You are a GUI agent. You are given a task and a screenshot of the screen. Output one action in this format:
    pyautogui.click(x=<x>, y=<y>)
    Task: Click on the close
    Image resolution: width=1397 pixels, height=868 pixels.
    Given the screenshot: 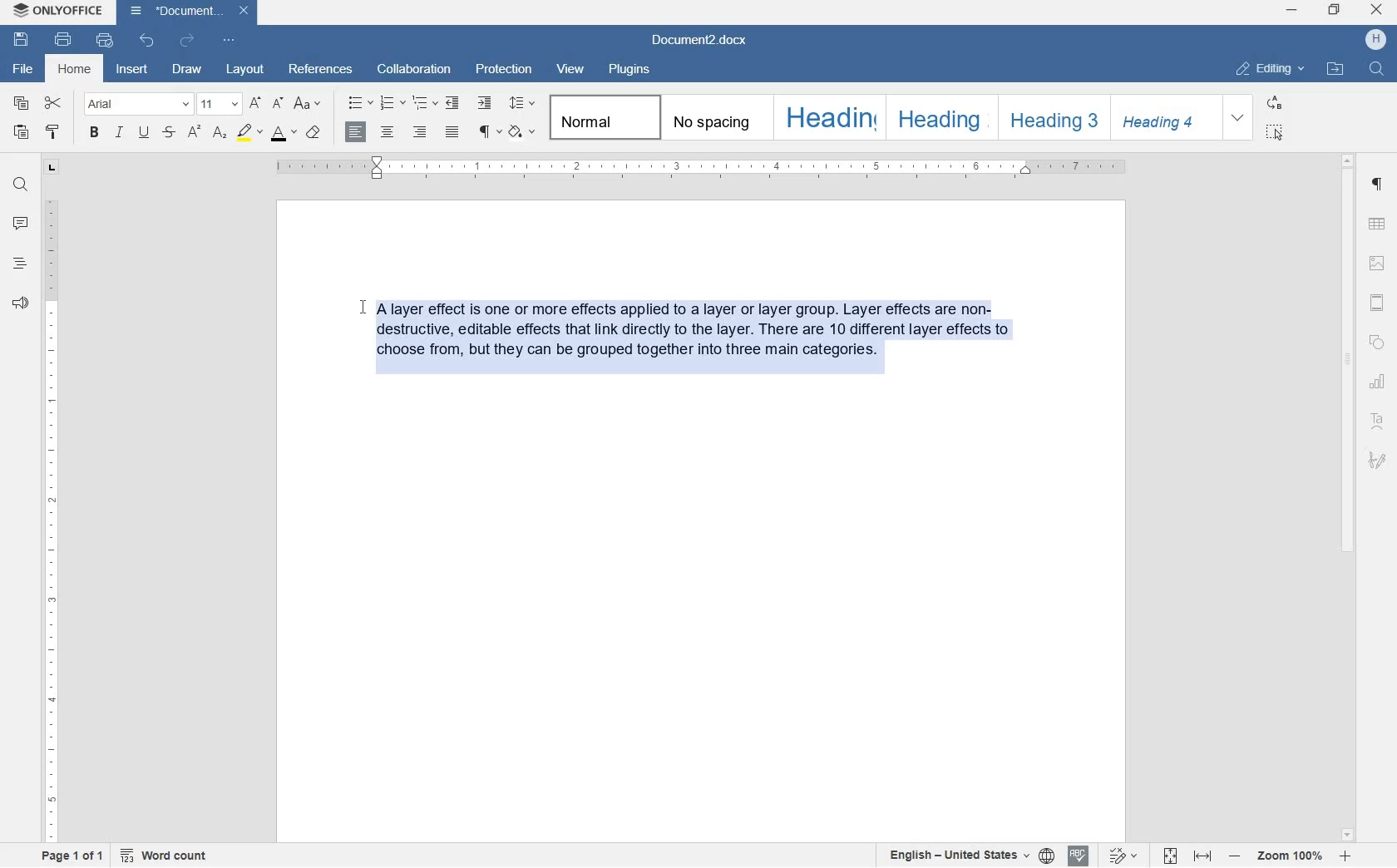 What is the action you would take?
    pyautogui.click(x=1378, y=11)
    